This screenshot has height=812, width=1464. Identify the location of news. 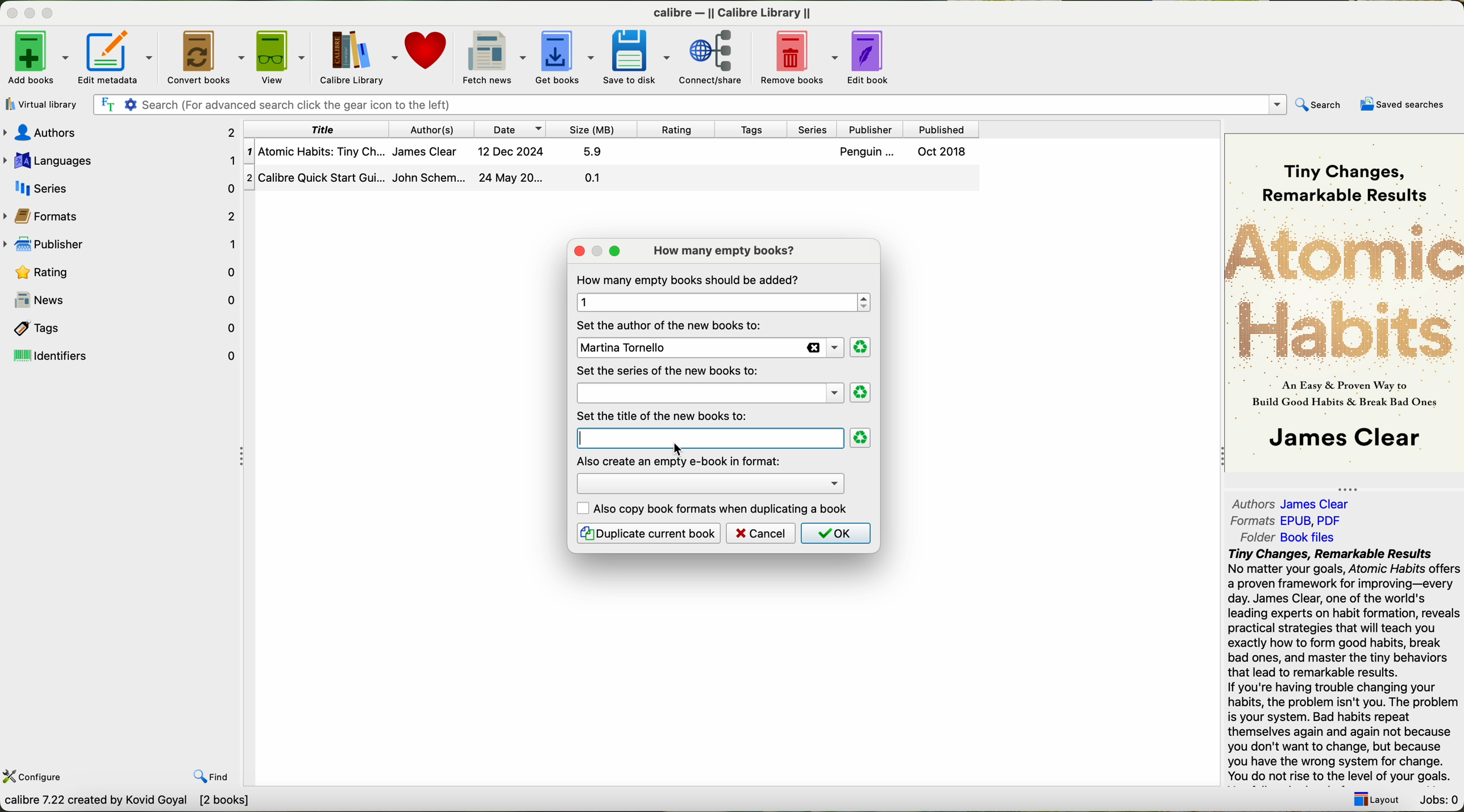
(121, 300).